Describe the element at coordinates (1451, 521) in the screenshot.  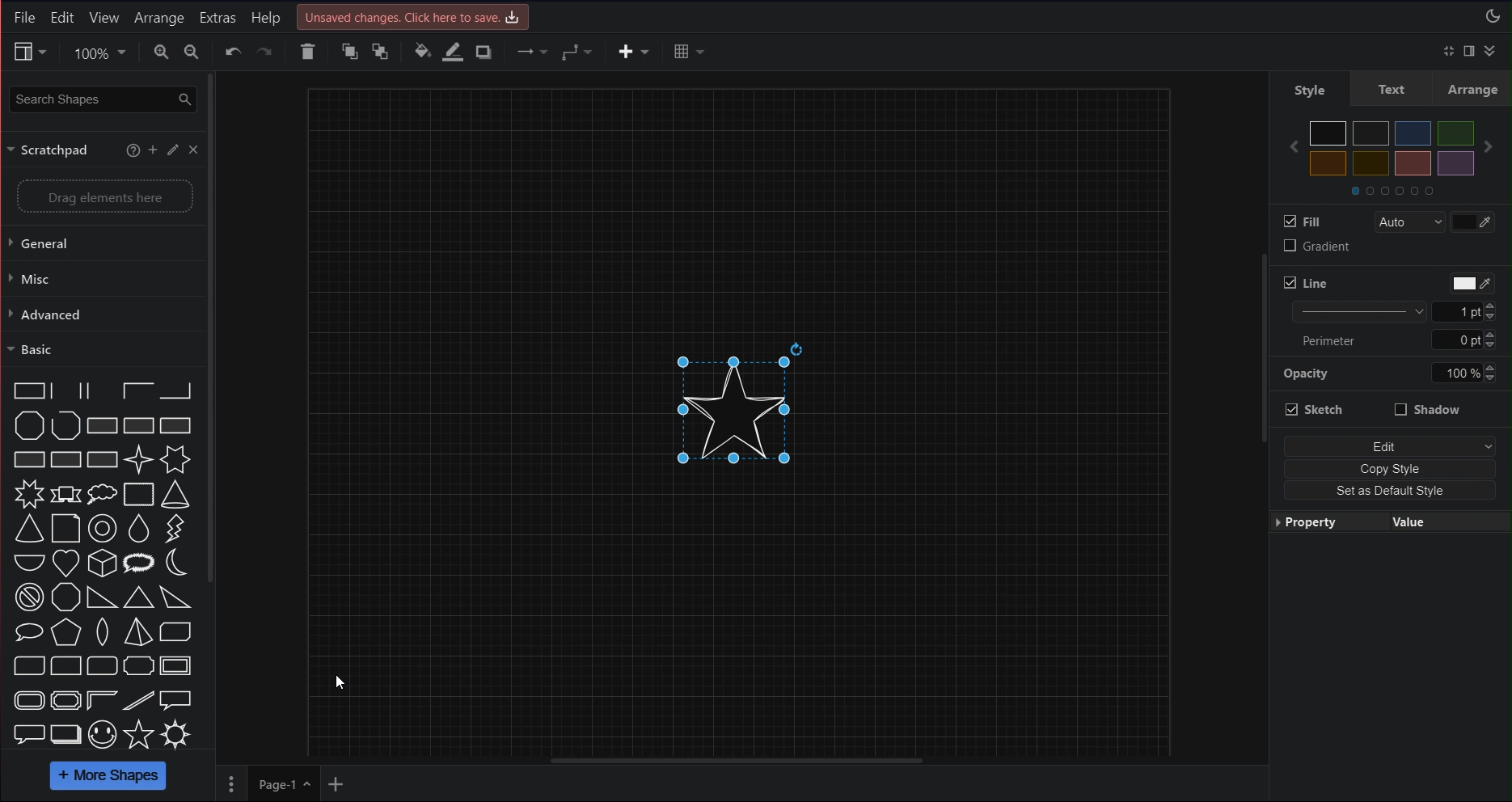
I see `Value` at that location.